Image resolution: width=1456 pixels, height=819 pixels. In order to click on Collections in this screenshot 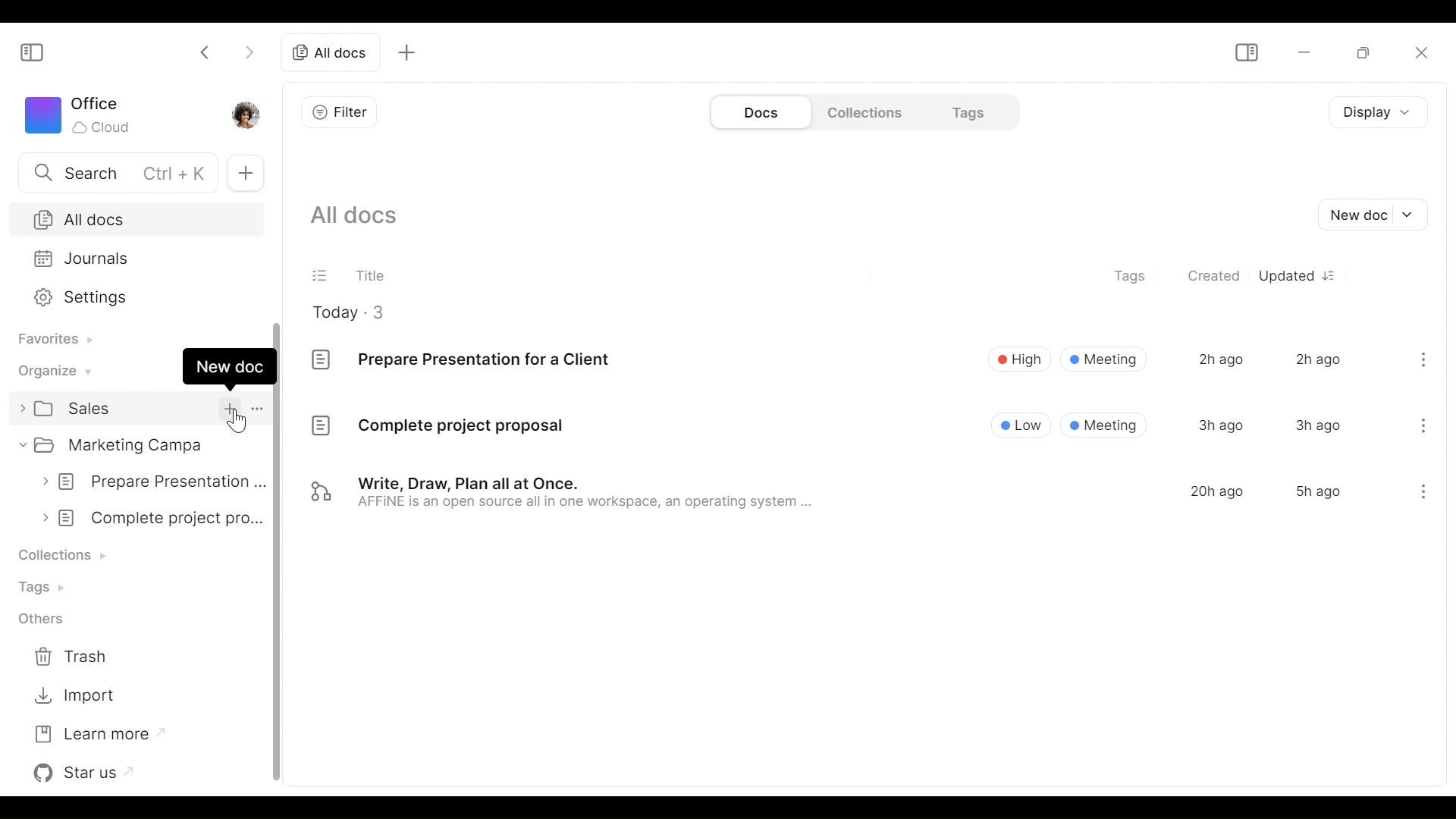, I will do `click(863, 111)`.